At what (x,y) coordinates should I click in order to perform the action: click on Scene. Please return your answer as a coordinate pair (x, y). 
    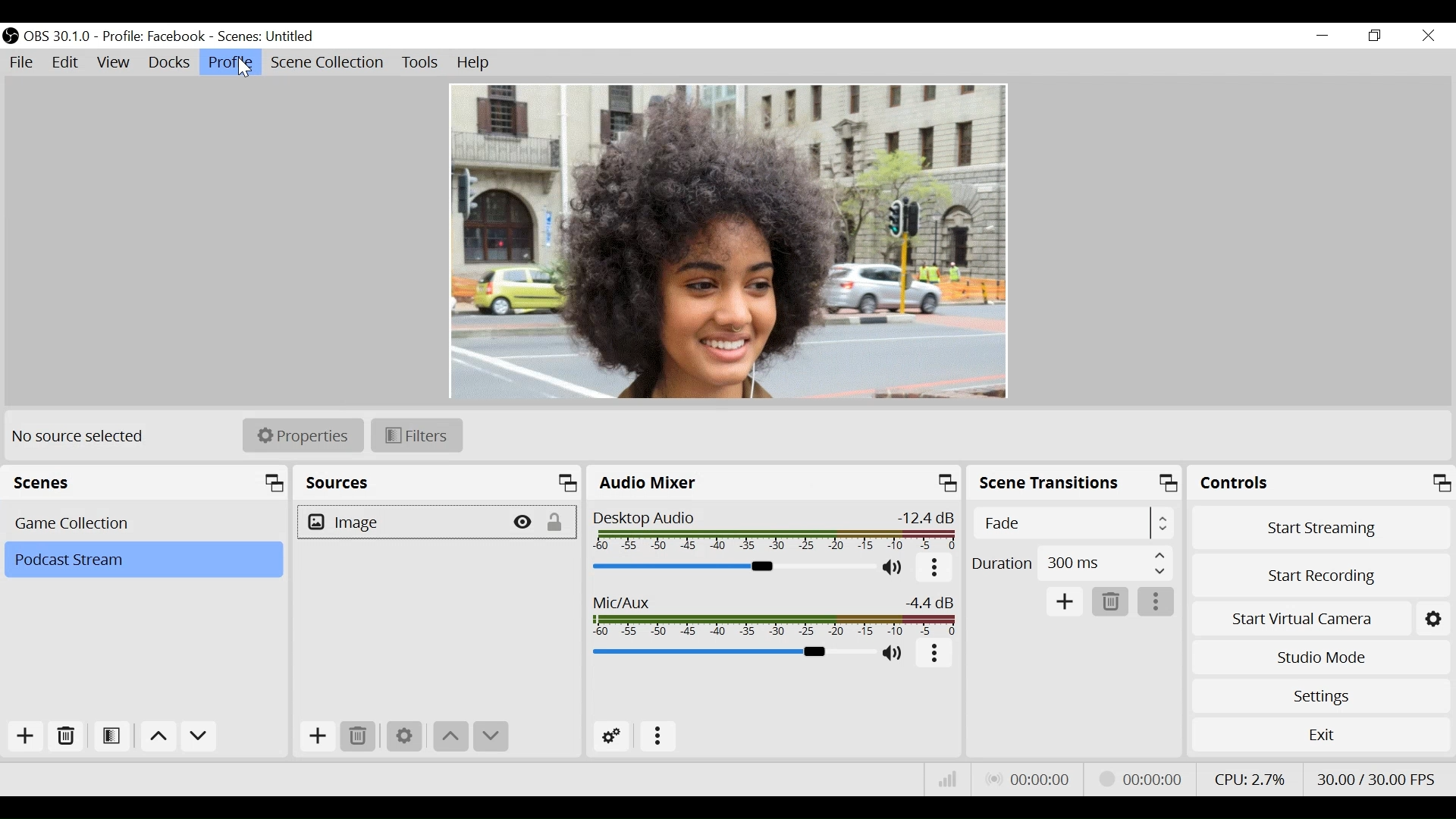
    Looking at the image, I should click on (271, 36).